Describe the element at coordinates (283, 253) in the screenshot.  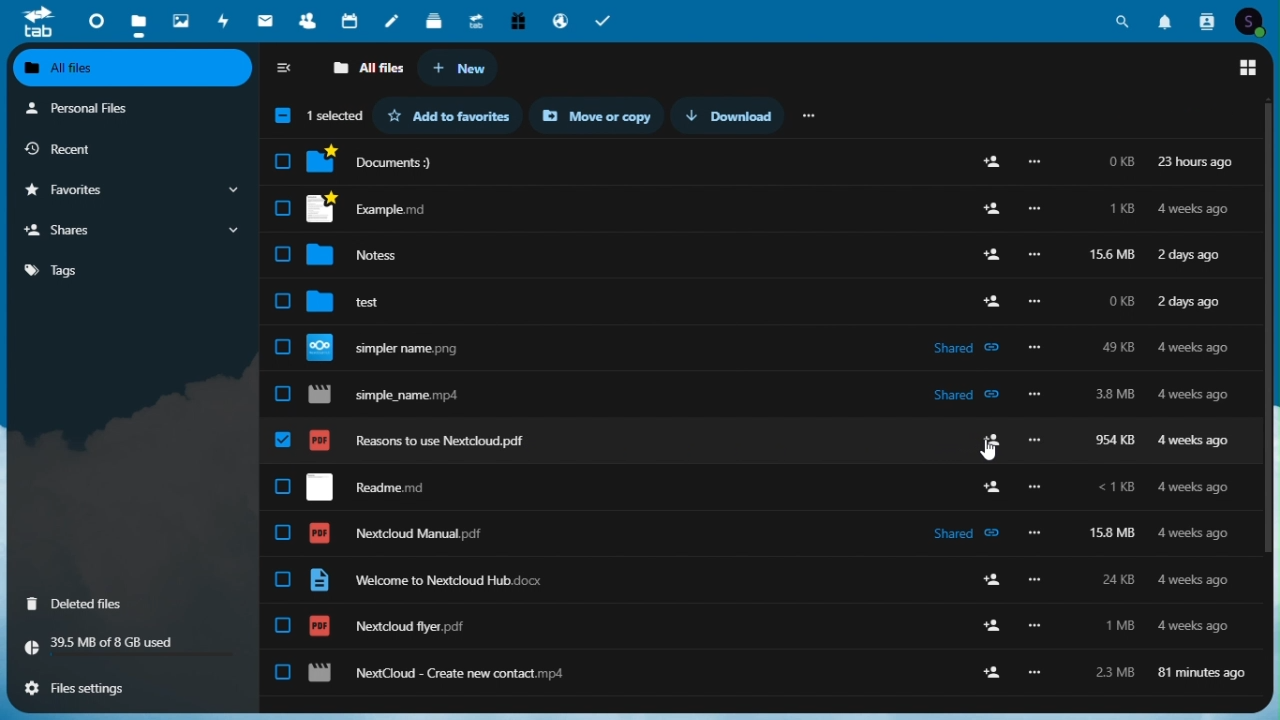
I see `checkbox` at that location.